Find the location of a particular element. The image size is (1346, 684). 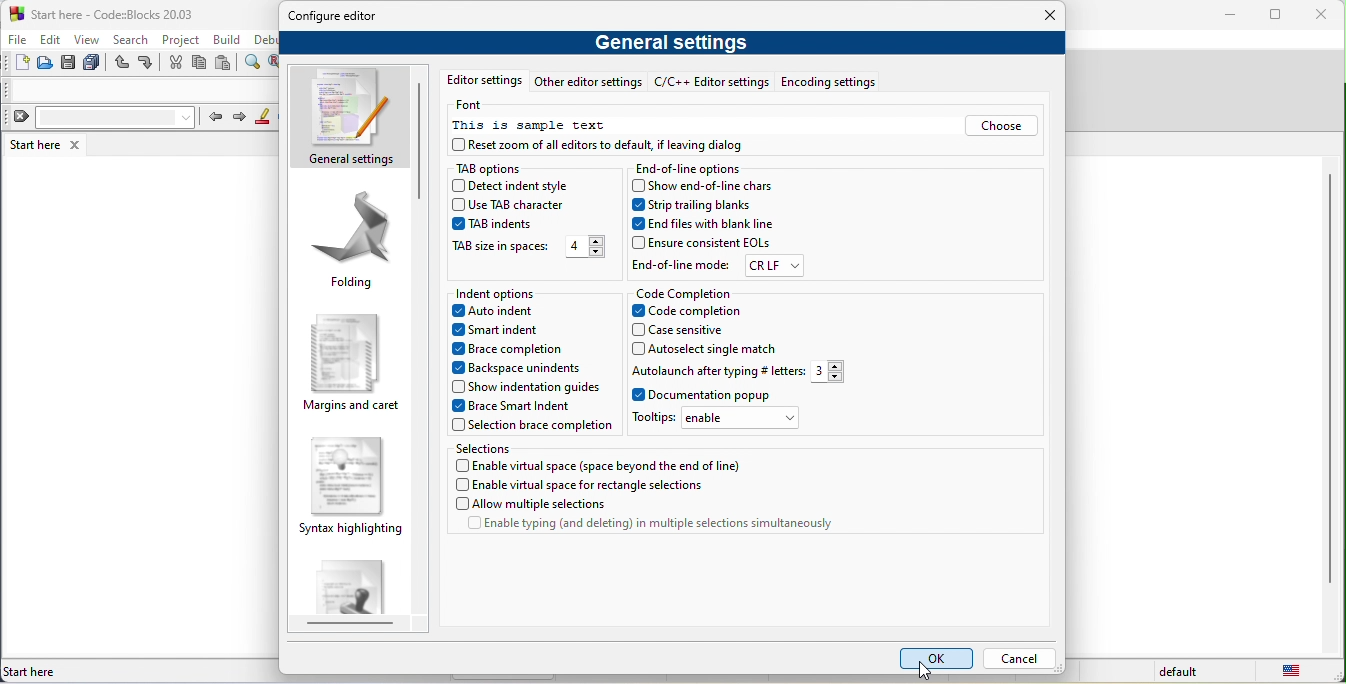

close is located at coordinates (1325, 15).